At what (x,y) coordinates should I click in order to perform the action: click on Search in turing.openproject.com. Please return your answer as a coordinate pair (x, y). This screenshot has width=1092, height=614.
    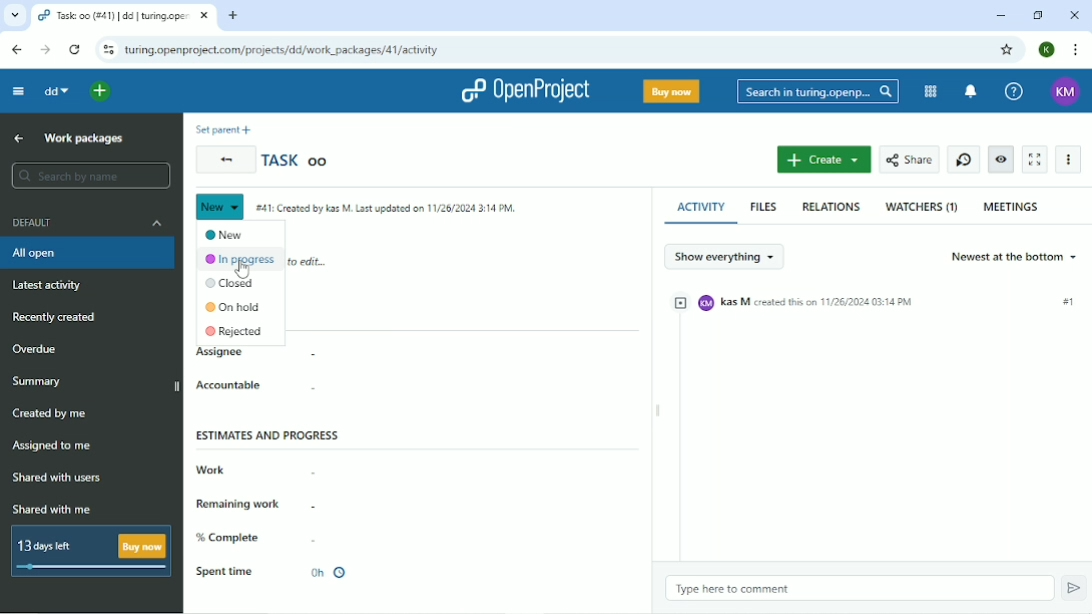
    Looking at the image, I should click on (816, 91).